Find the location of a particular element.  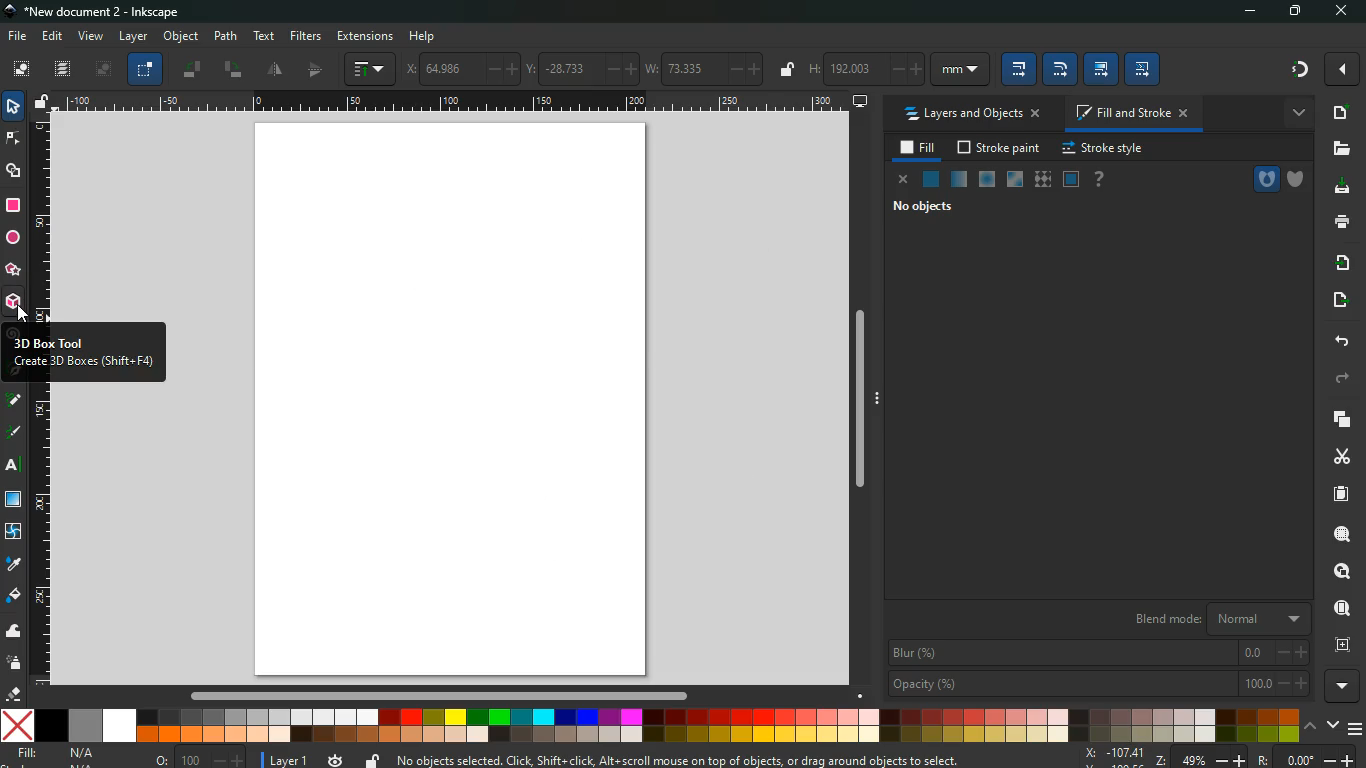

hole is located at coordinates (1265, 179).